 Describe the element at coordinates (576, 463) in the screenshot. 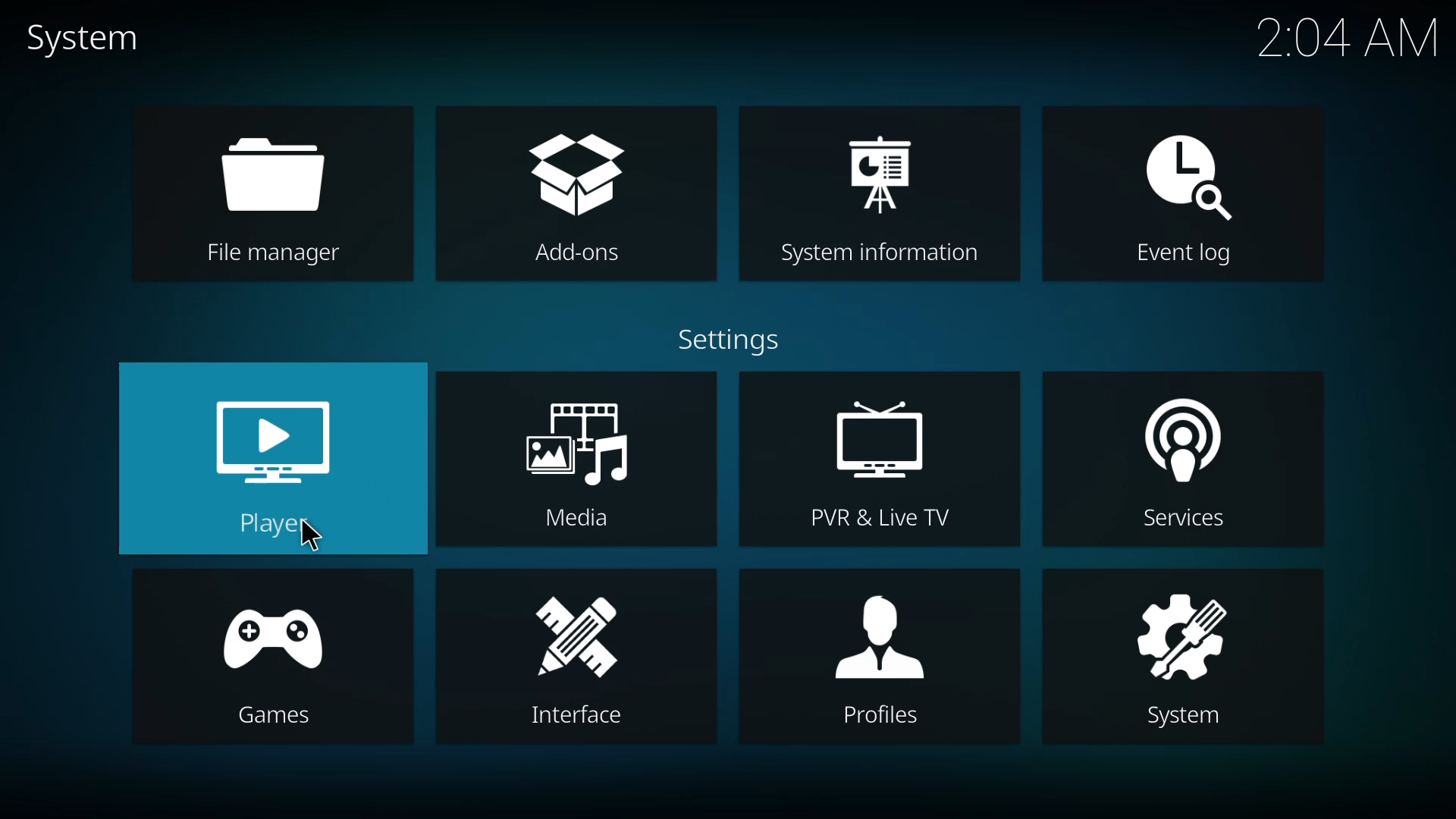

I see `media` at that location.